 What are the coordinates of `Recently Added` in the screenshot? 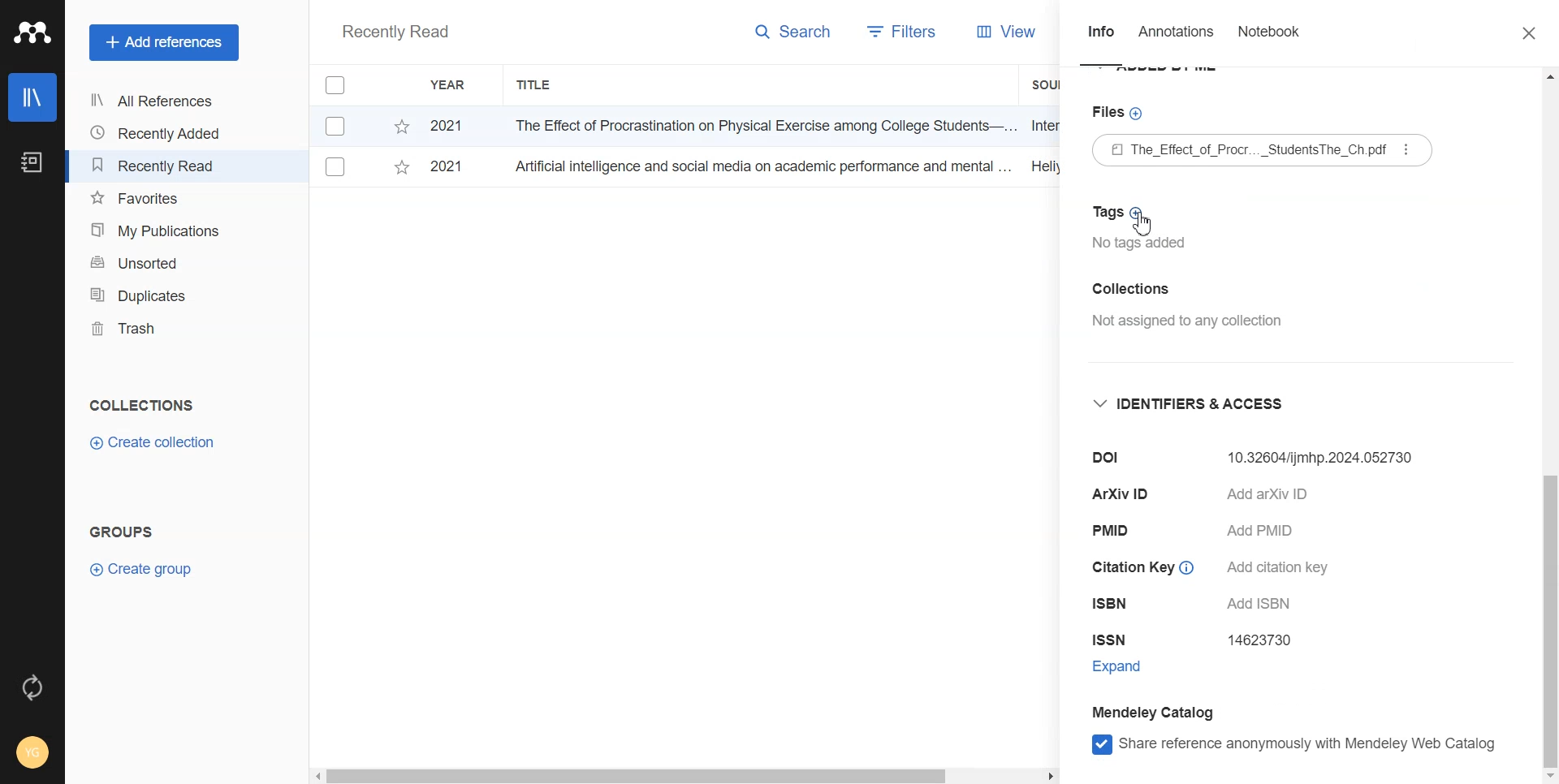 It's located at (158, 133).